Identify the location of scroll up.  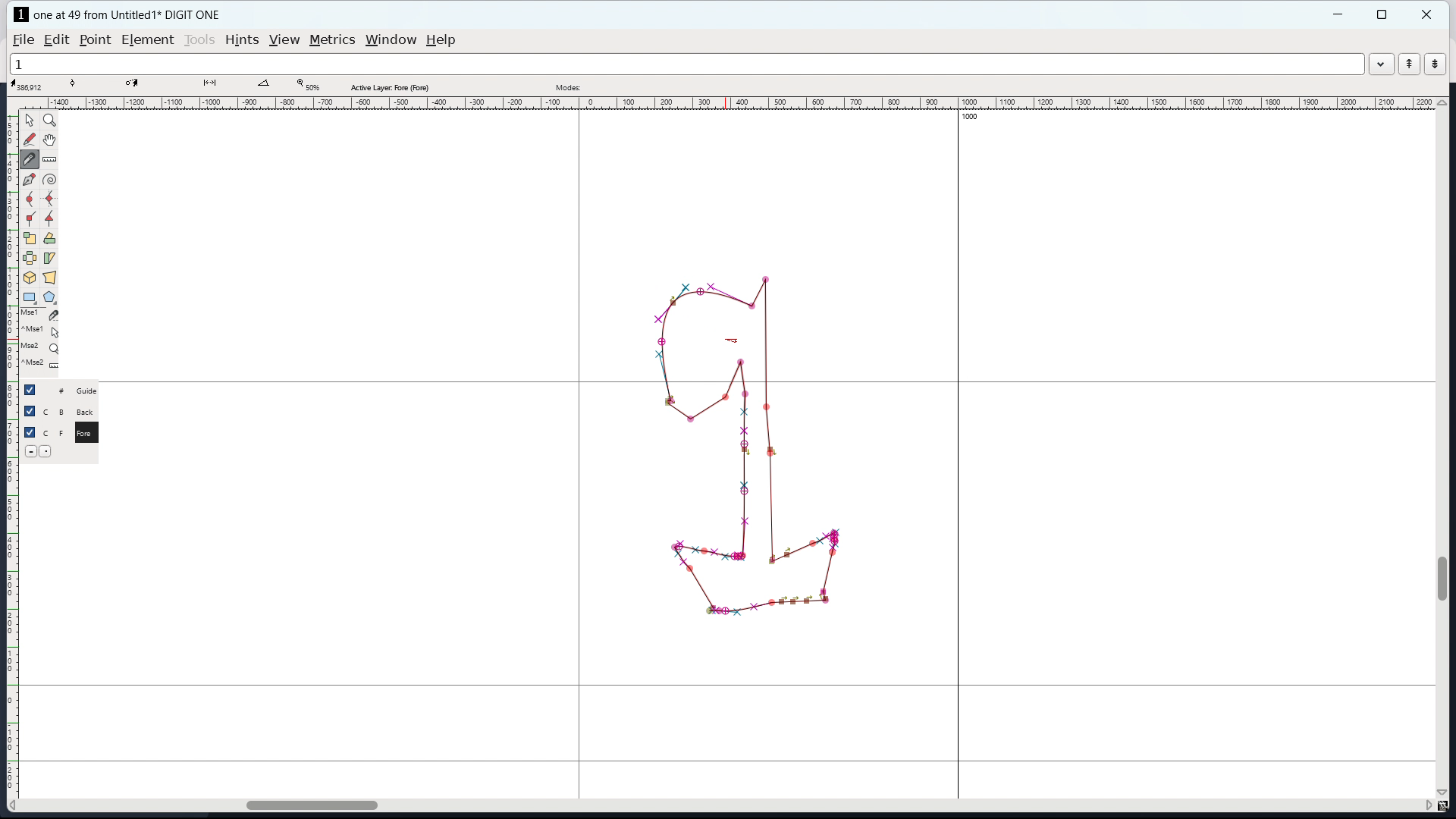
(1442, 102).